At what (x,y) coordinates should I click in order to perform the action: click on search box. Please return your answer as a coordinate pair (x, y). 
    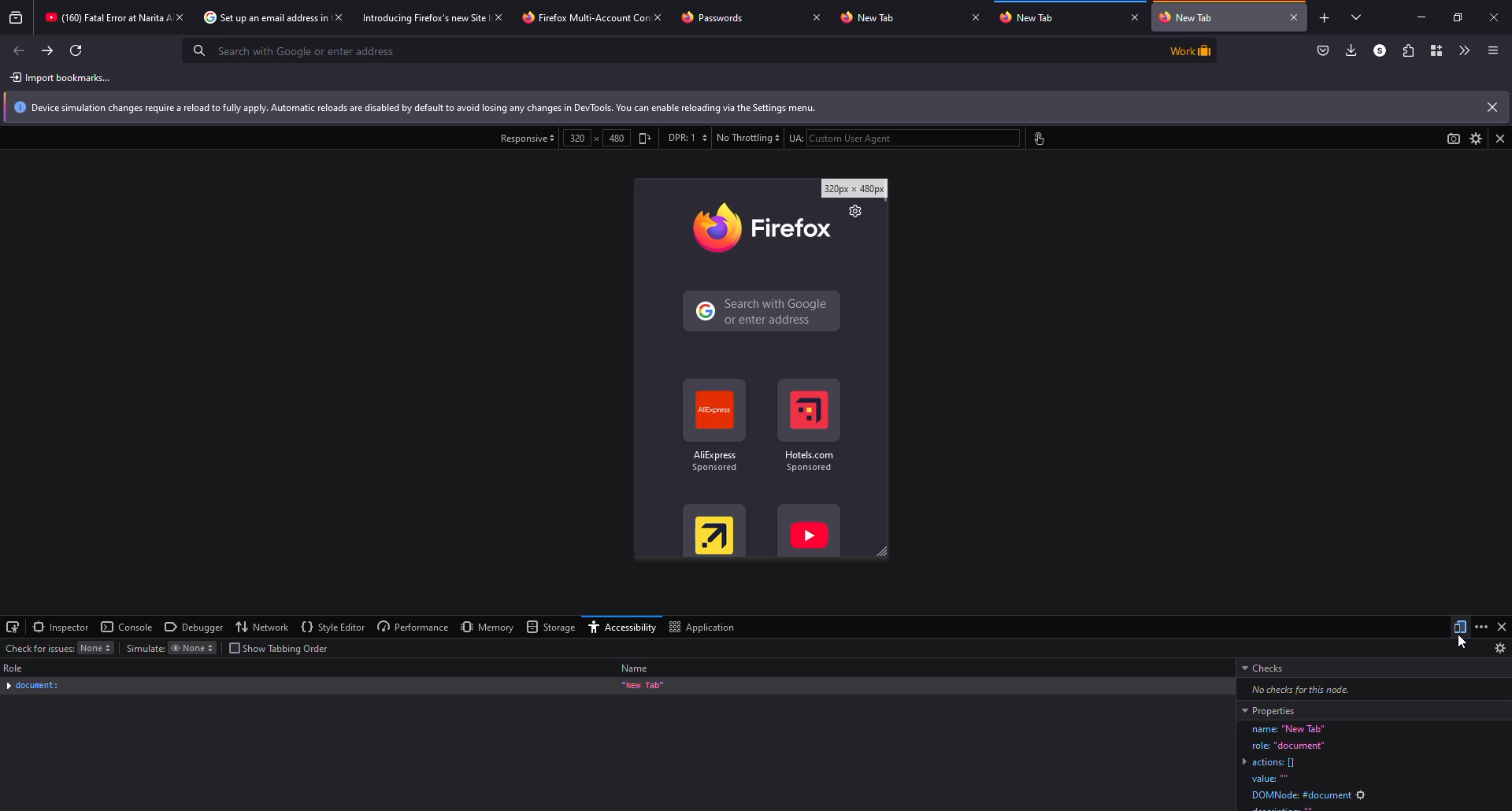
    Looking at the image, I should click on (666, 50).